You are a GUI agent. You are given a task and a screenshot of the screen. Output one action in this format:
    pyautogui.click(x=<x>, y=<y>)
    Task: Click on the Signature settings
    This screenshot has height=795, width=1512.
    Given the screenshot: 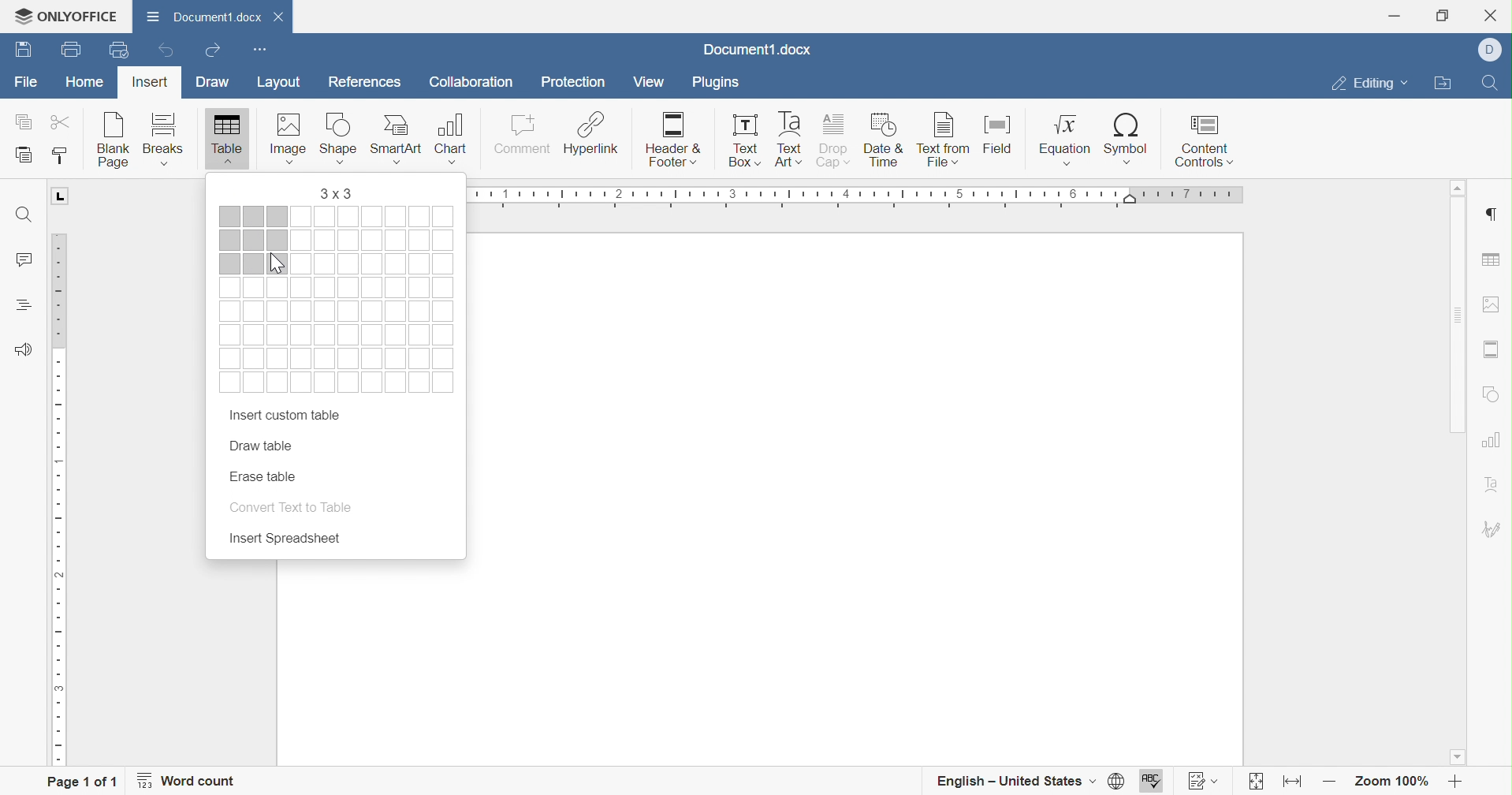 What is the action you would take?
    pyautogui.click(x=1496, y=529)
    